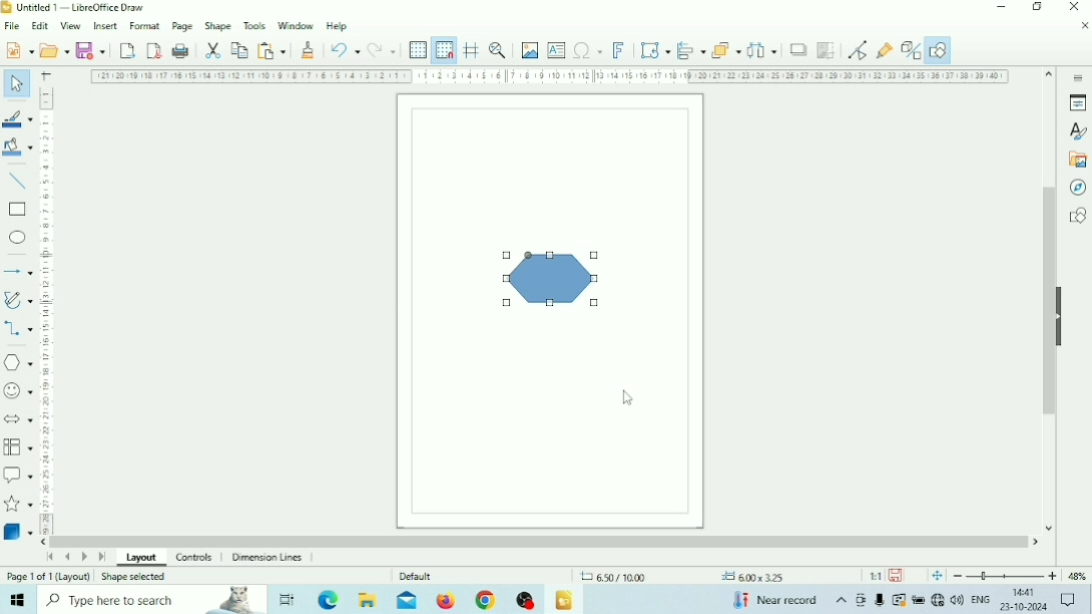 The image size is (1092, 614). What do you see at coordinates (418, 51) in the screenshot?
I see `Display Grid` at bounding box center [418, 51].